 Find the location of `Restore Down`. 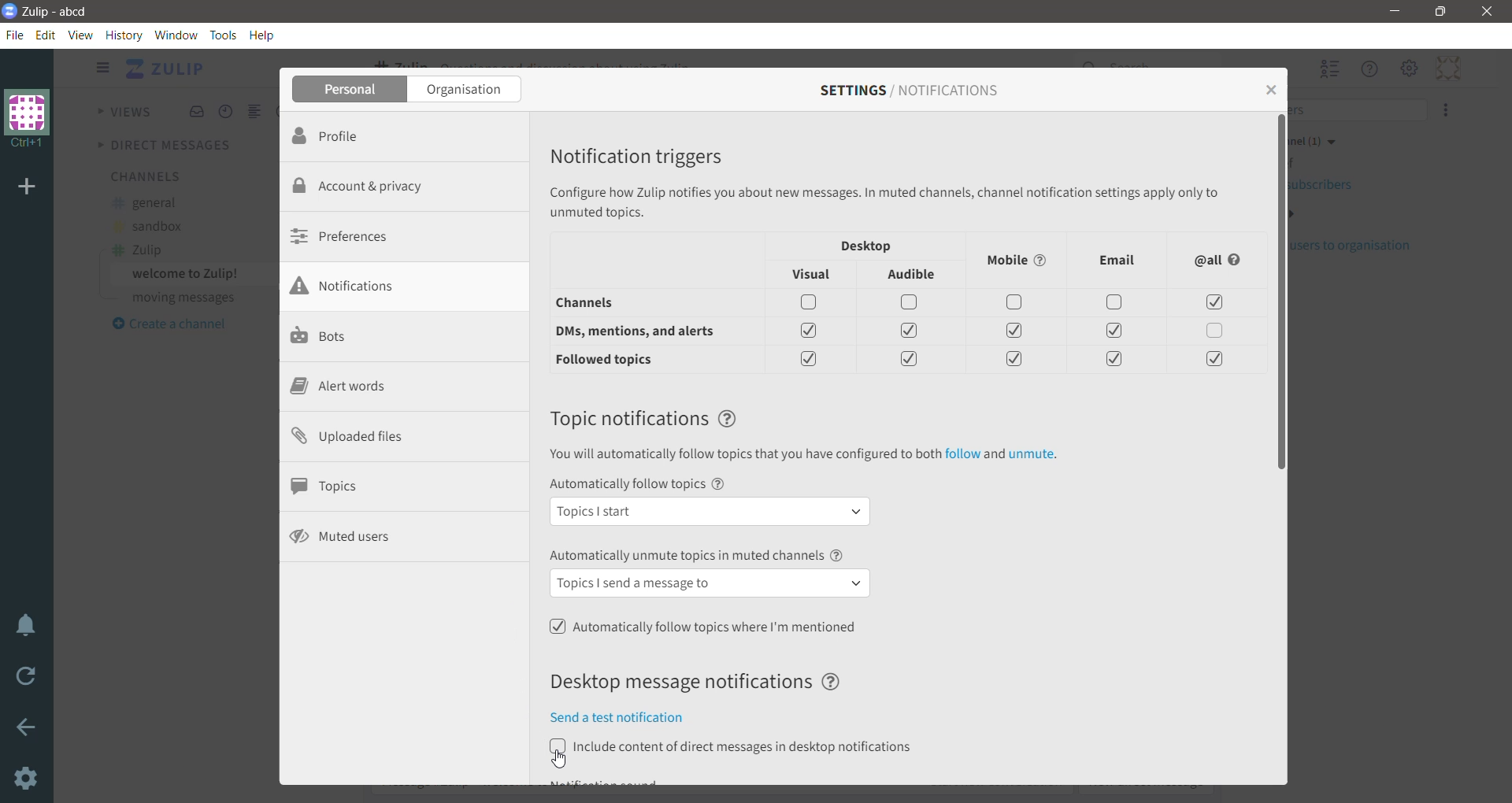

Restore Down is located at coordinates (1442, 12).